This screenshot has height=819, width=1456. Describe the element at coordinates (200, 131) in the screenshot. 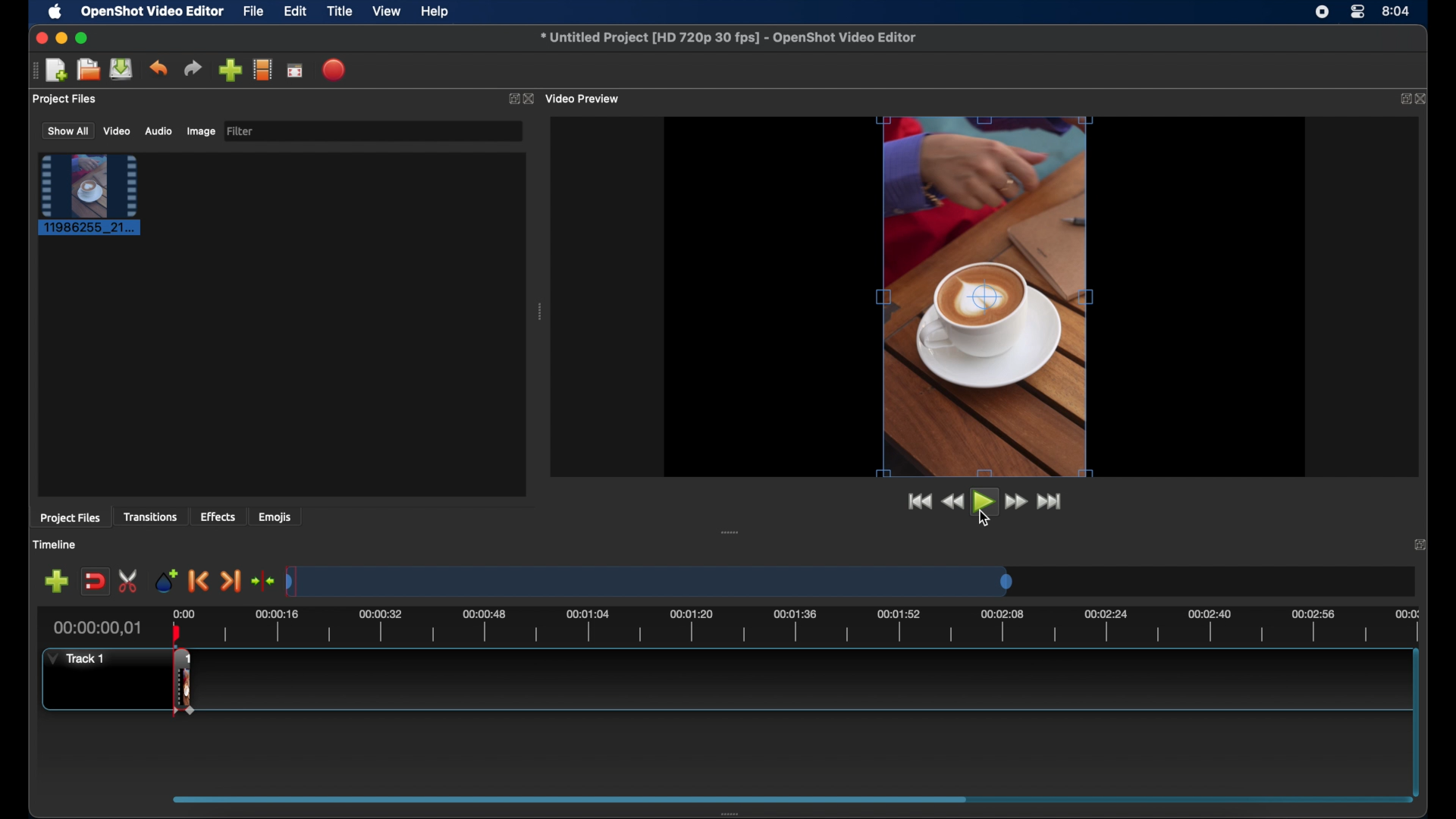

I see `image` at that location.